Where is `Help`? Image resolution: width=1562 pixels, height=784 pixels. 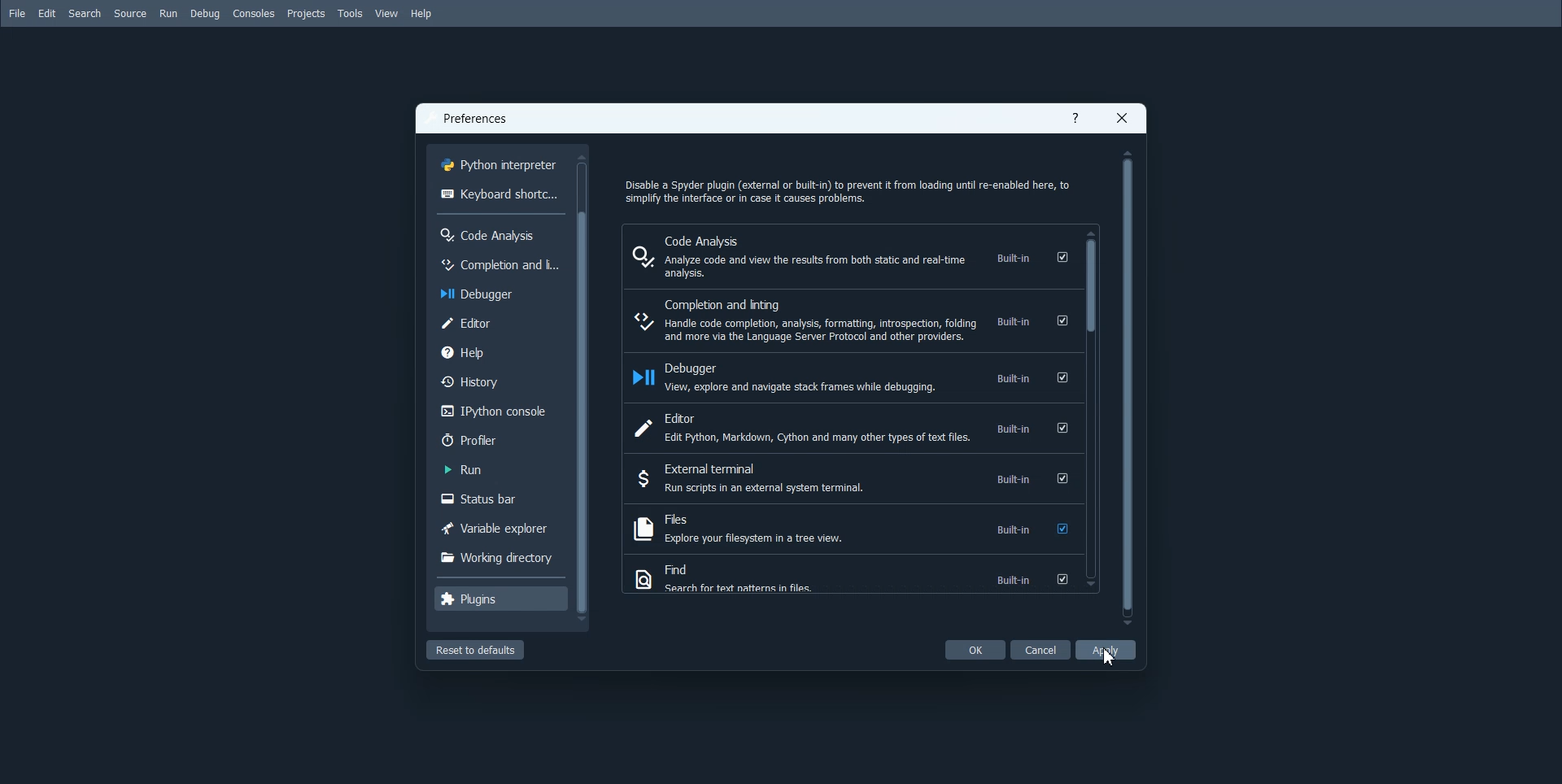
Help is located at coordinates (1076, 120).